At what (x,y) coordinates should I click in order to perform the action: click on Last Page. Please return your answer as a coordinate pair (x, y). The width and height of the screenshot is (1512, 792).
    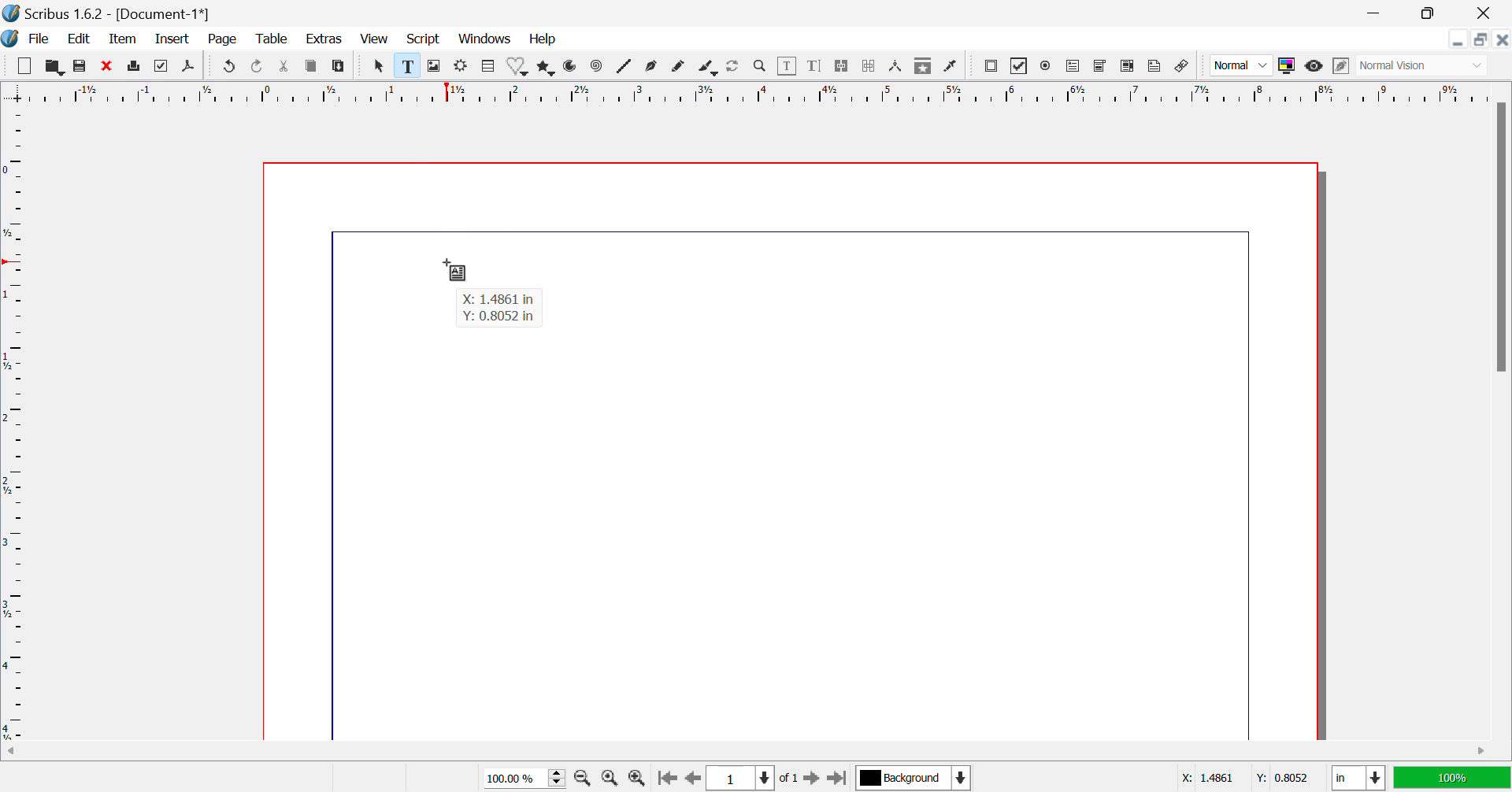
    Looking at the image, I should click on (836, 777).